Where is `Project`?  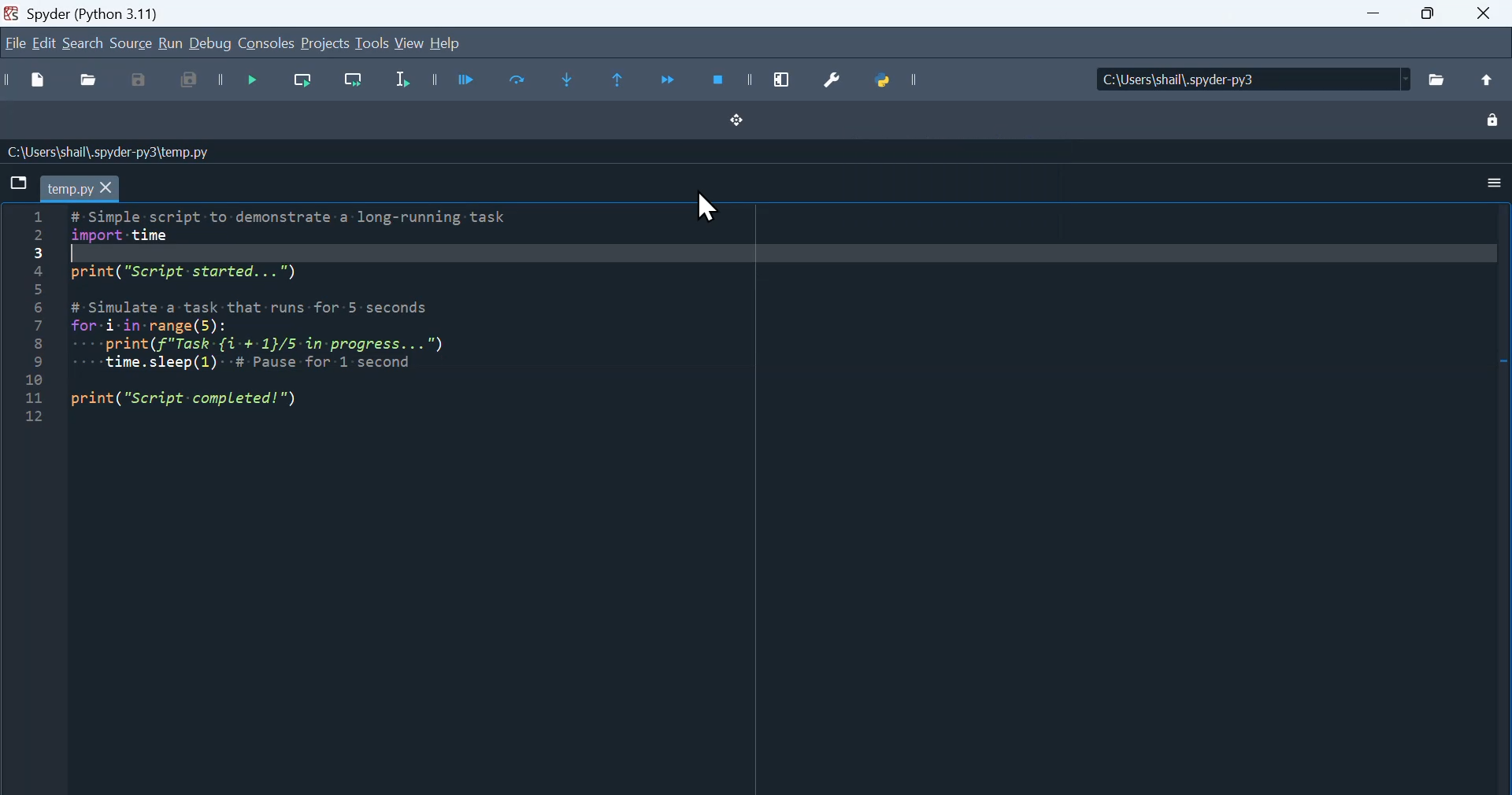
Project is located at coordinates (325, 46).